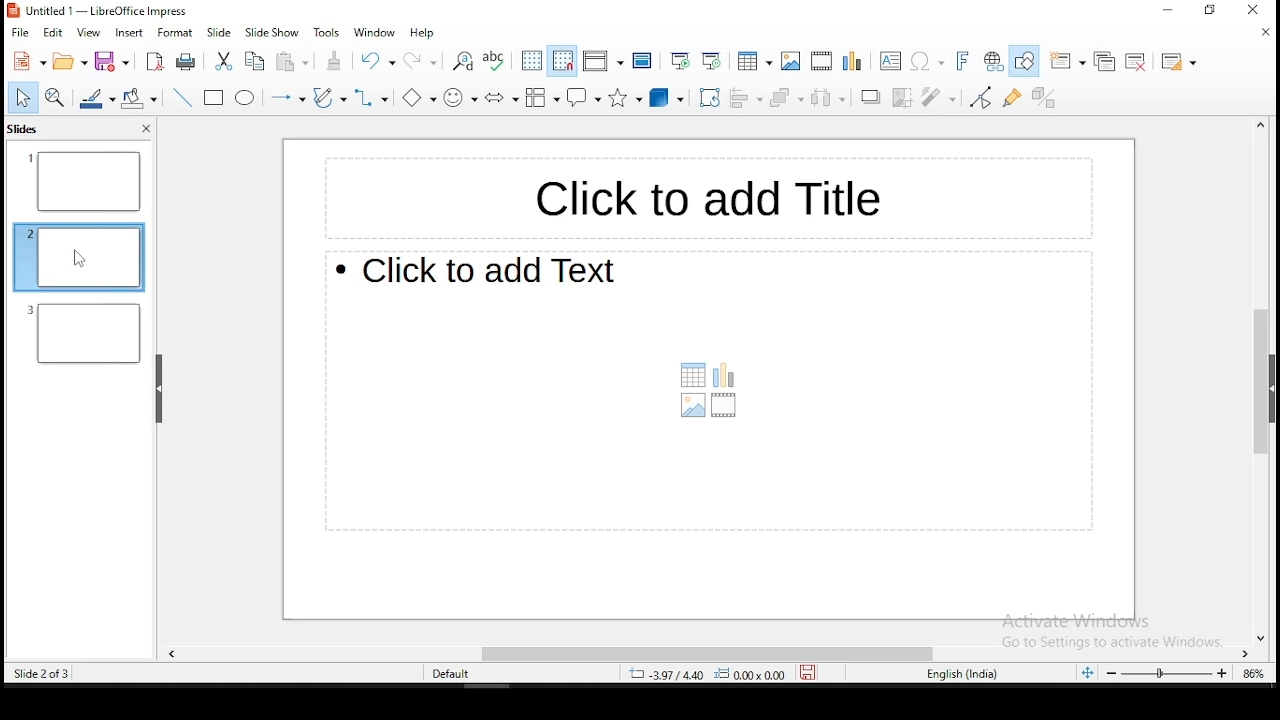  What do you see at coordinates (934, 94) in the screenshot?
I see `filter` at bounding box center [934, 94].